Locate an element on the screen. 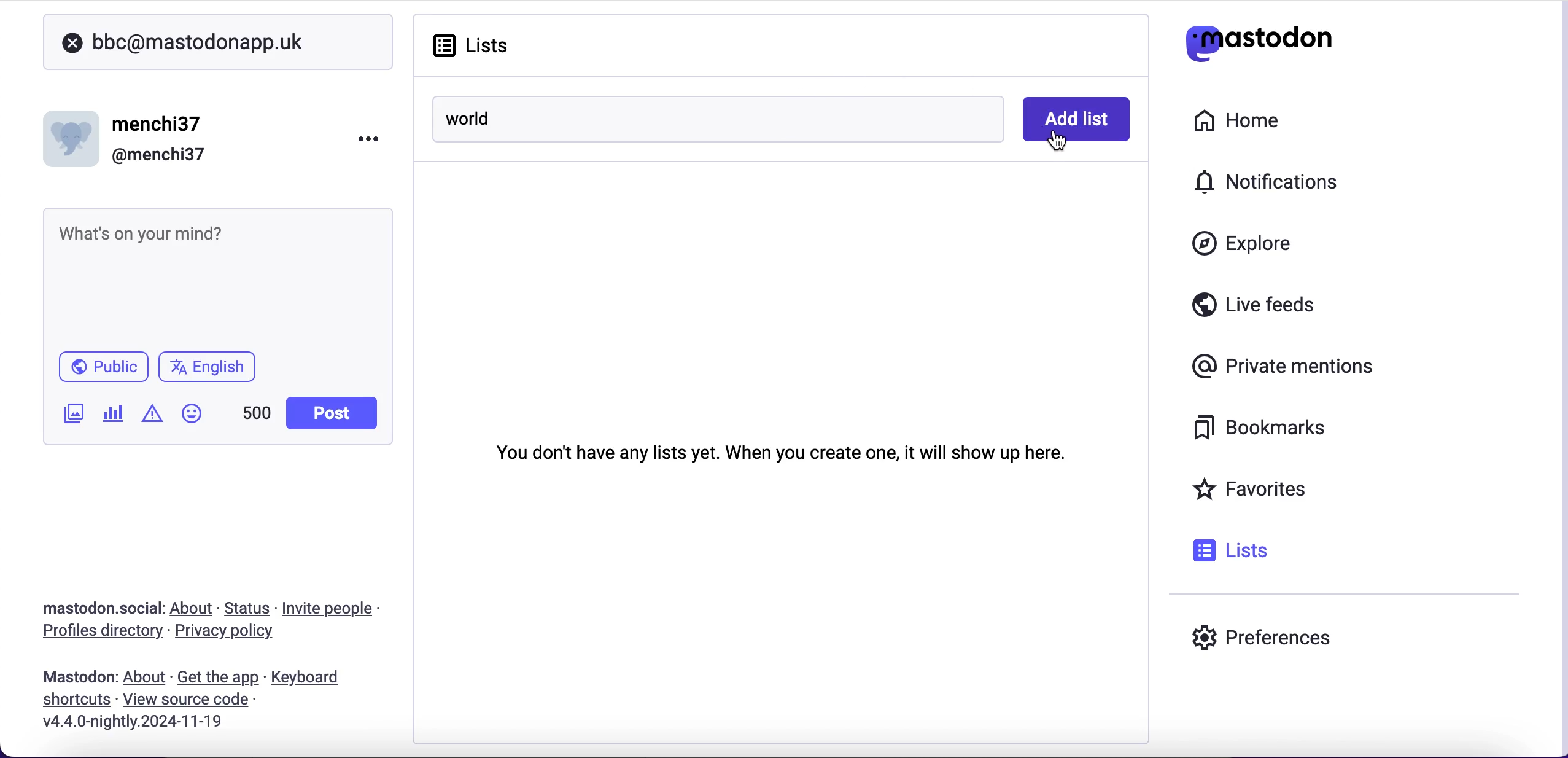  add a poll is located at coordinates (112, 418).